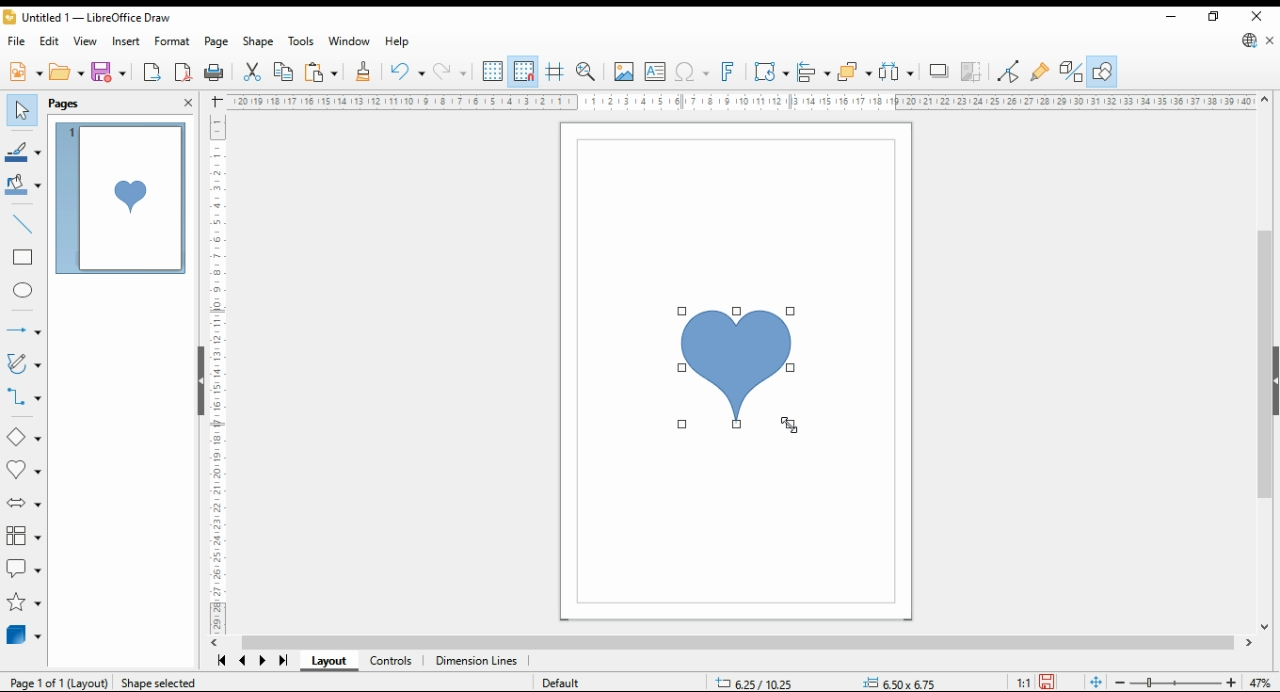 The image size is (1280, 692). I want to click on toggle extrusions, so click(1070, 72).